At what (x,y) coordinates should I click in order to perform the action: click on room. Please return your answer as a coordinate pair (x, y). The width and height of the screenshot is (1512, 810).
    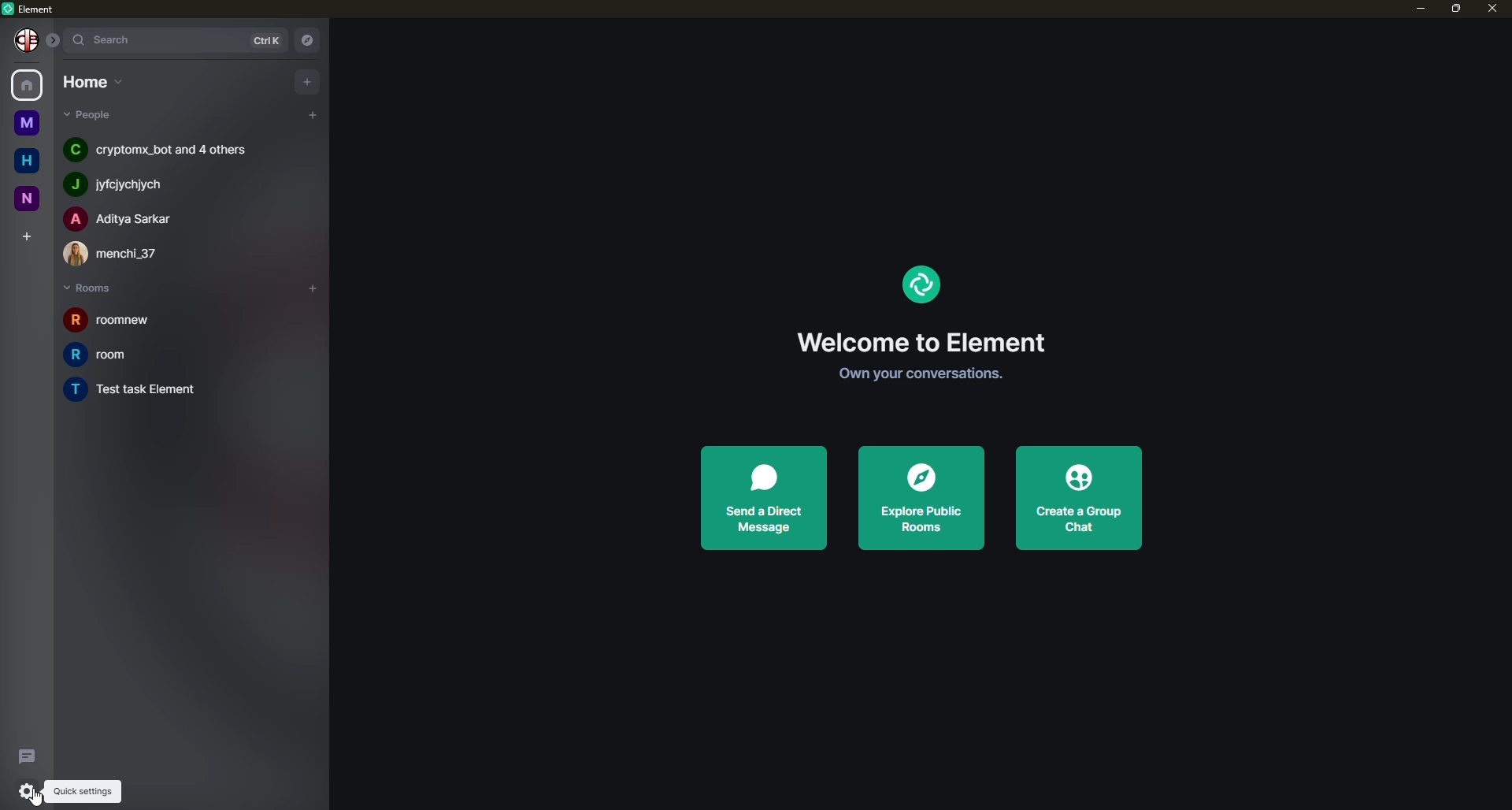
    Looking at the image, I should click on (154, 391).